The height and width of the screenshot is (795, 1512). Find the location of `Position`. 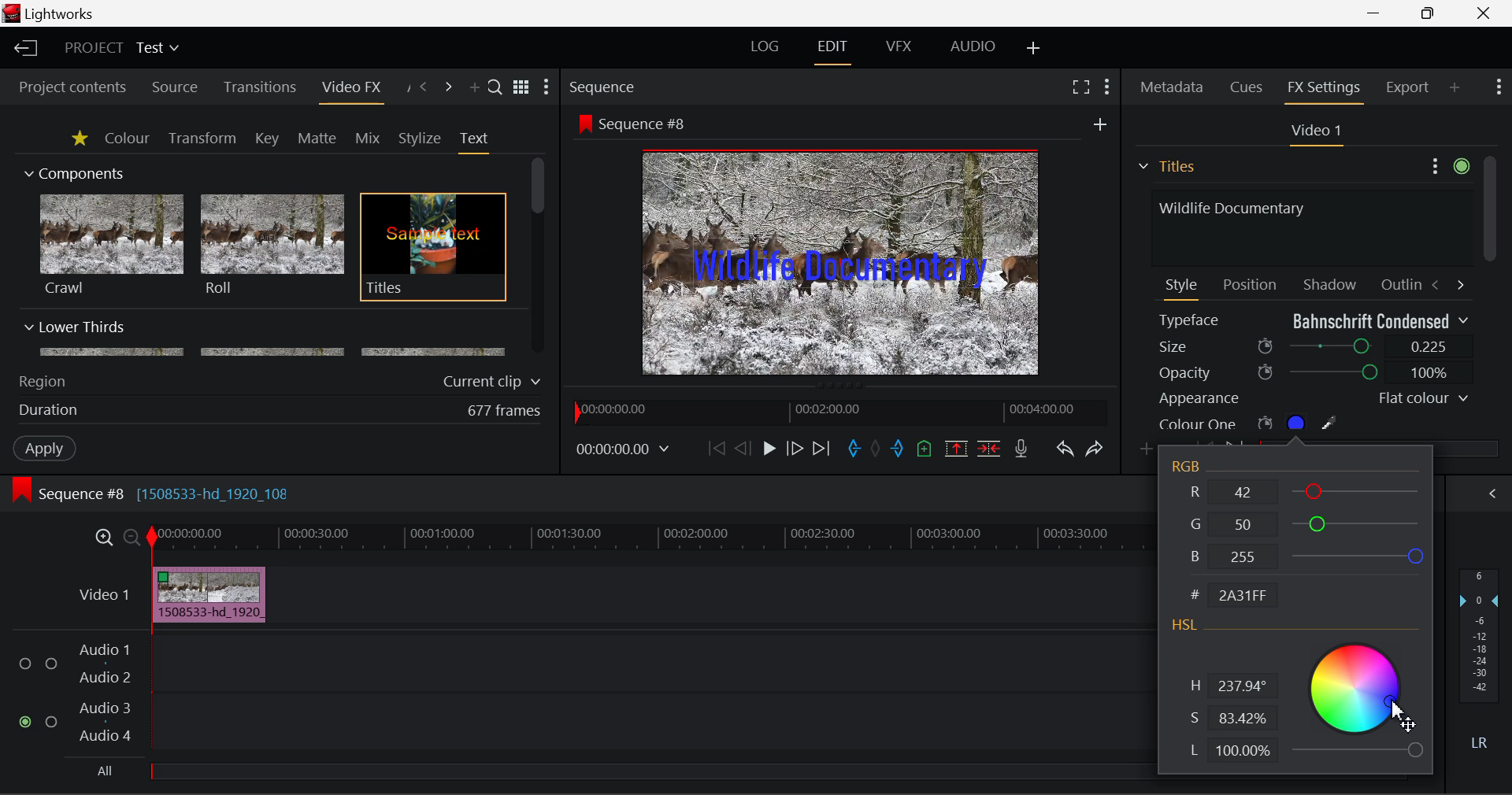

Position is located at coordinates (1252, 283).